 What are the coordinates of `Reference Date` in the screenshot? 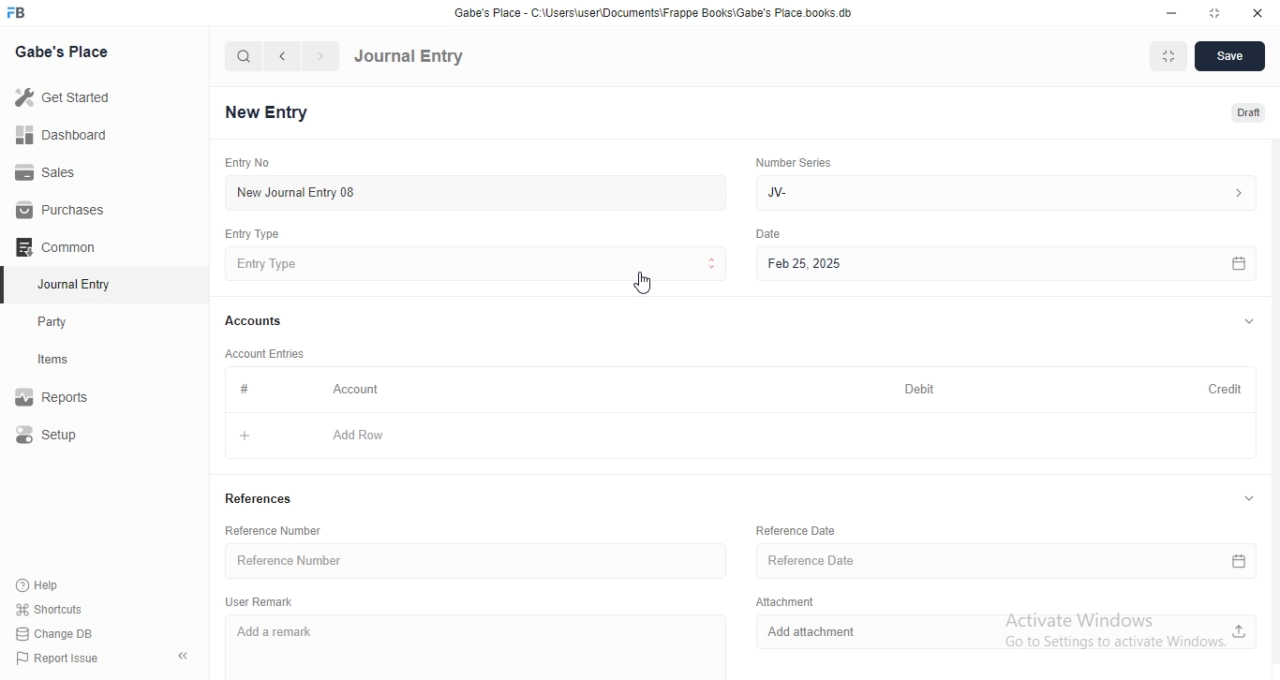 It's located at (793, 530).